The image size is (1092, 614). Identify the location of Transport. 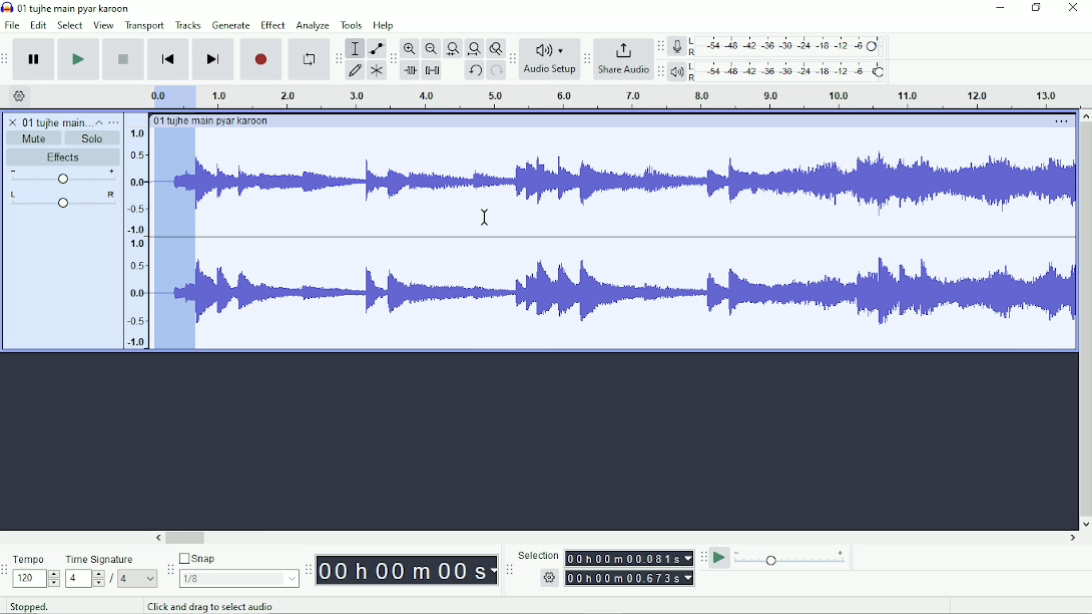
(145, 26).